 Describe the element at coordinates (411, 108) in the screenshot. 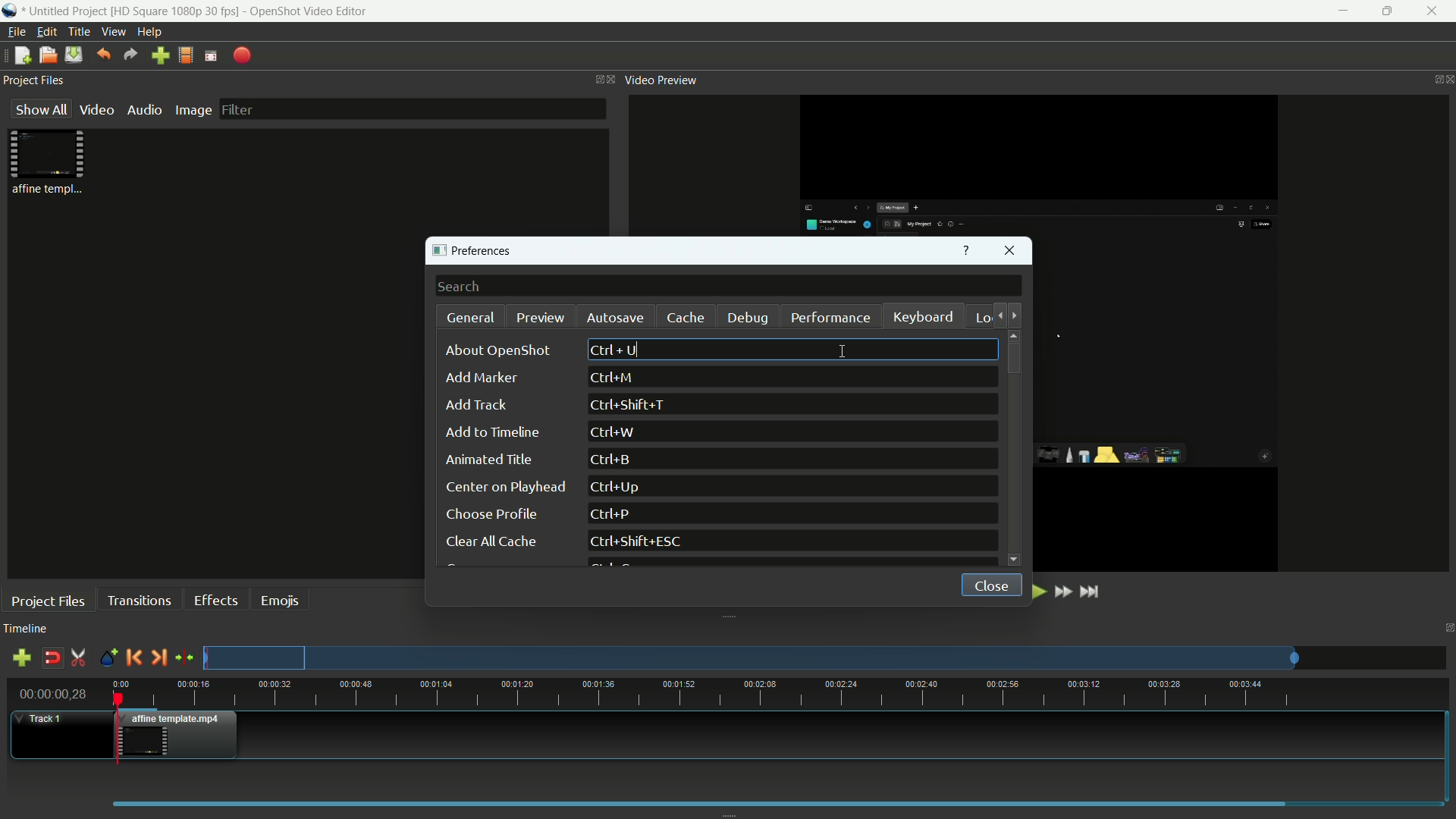

I see `filter bar` at that location.